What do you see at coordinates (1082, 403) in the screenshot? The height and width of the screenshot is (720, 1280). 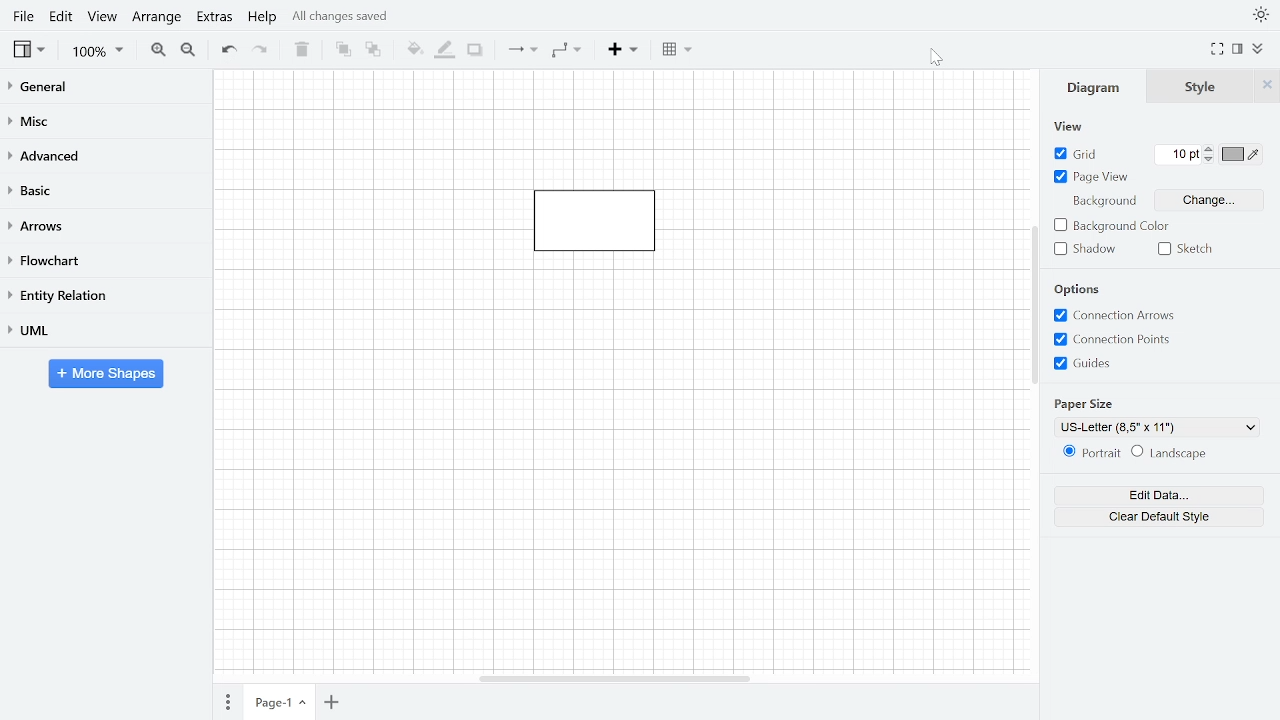 I see `paper size` at bounding box center [1082, 403].